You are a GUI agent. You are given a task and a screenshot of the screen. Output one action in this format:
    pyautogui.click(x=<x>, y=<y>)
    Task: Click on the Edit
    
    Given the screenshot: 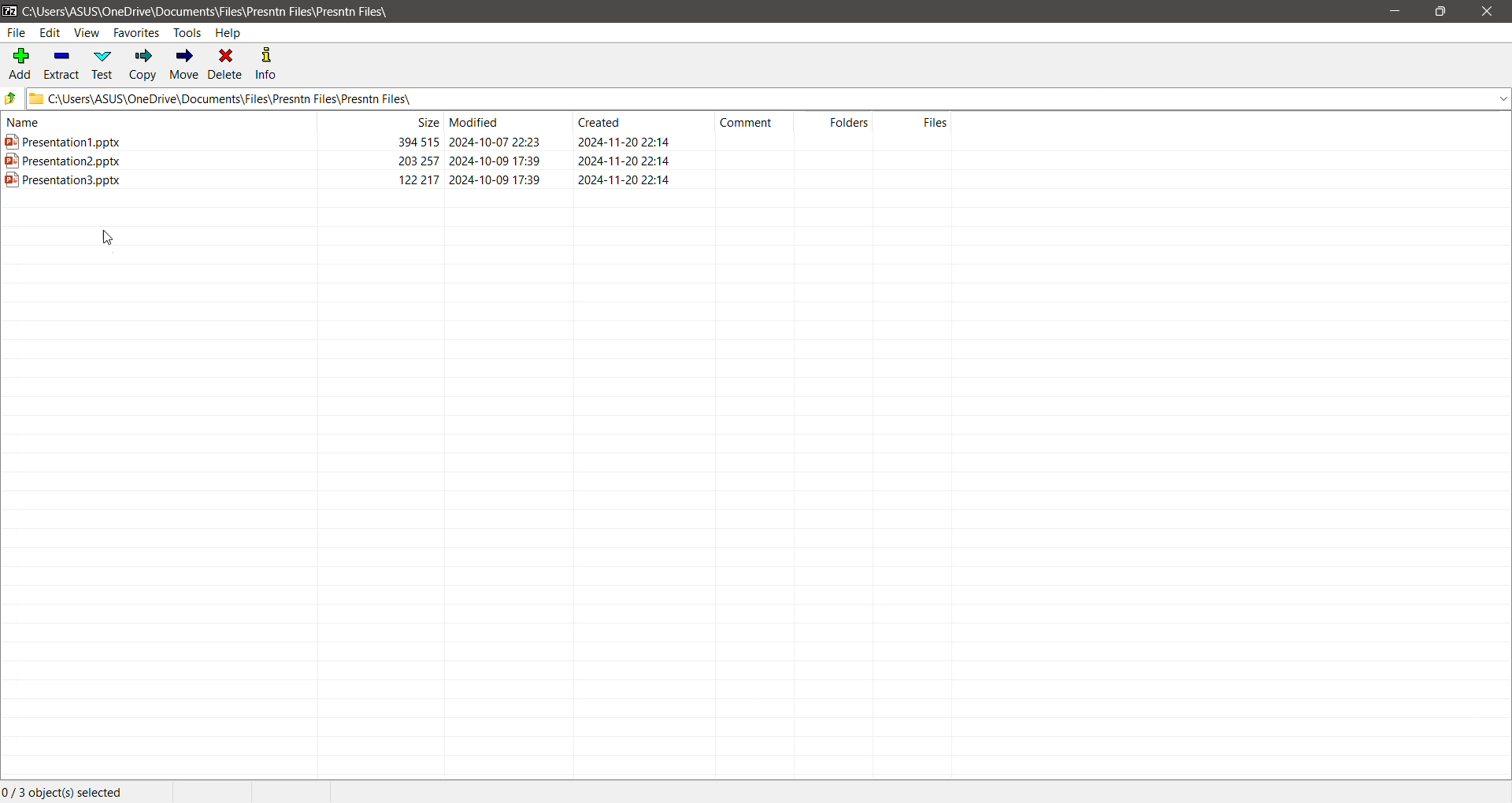 What is the action you would take?
    pyautogui.click(x=50, y=32)
    